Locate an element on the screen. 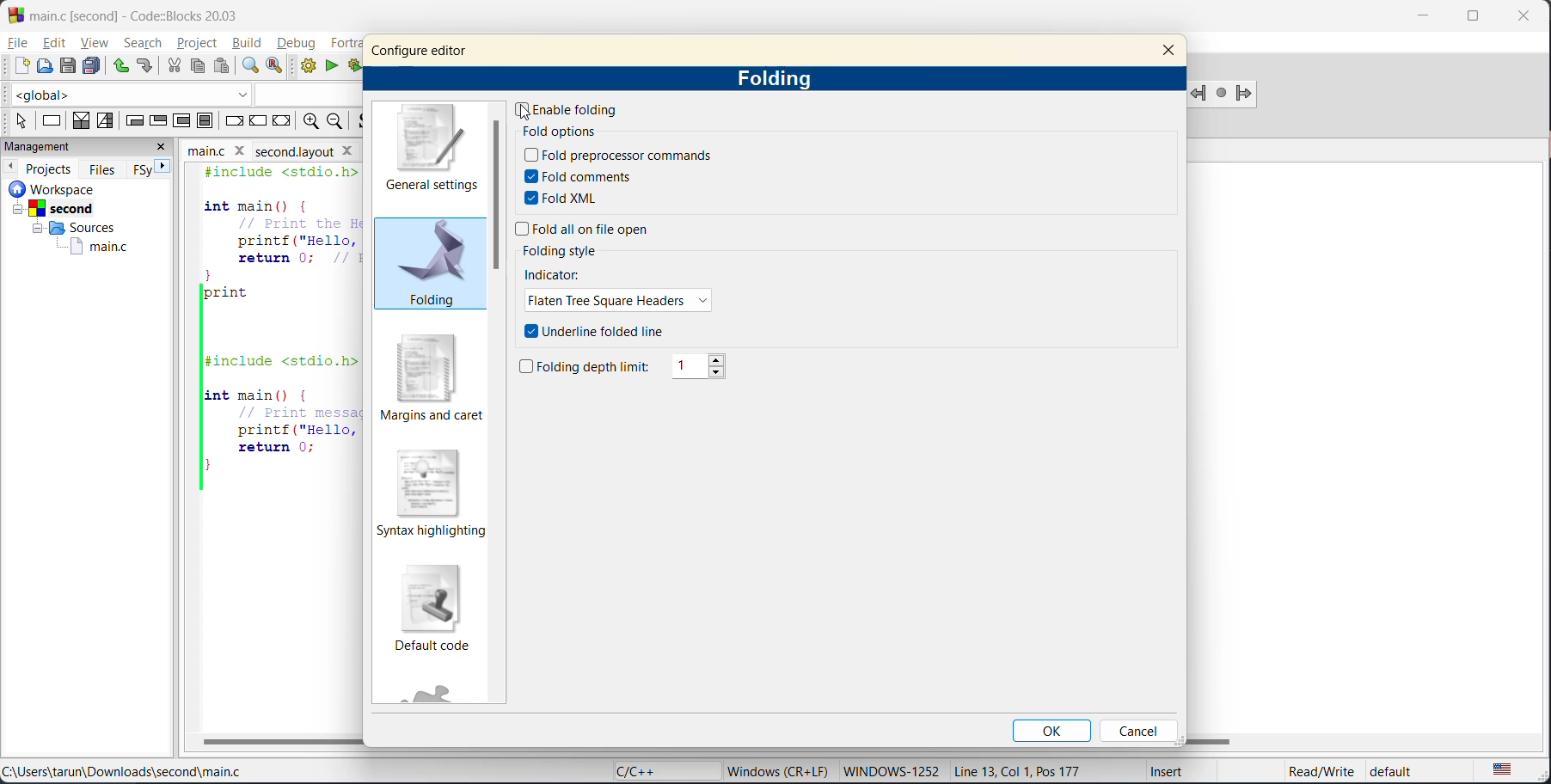 This screenshot has height=784, width=1551. metadata is located at coordinates (781, 770).